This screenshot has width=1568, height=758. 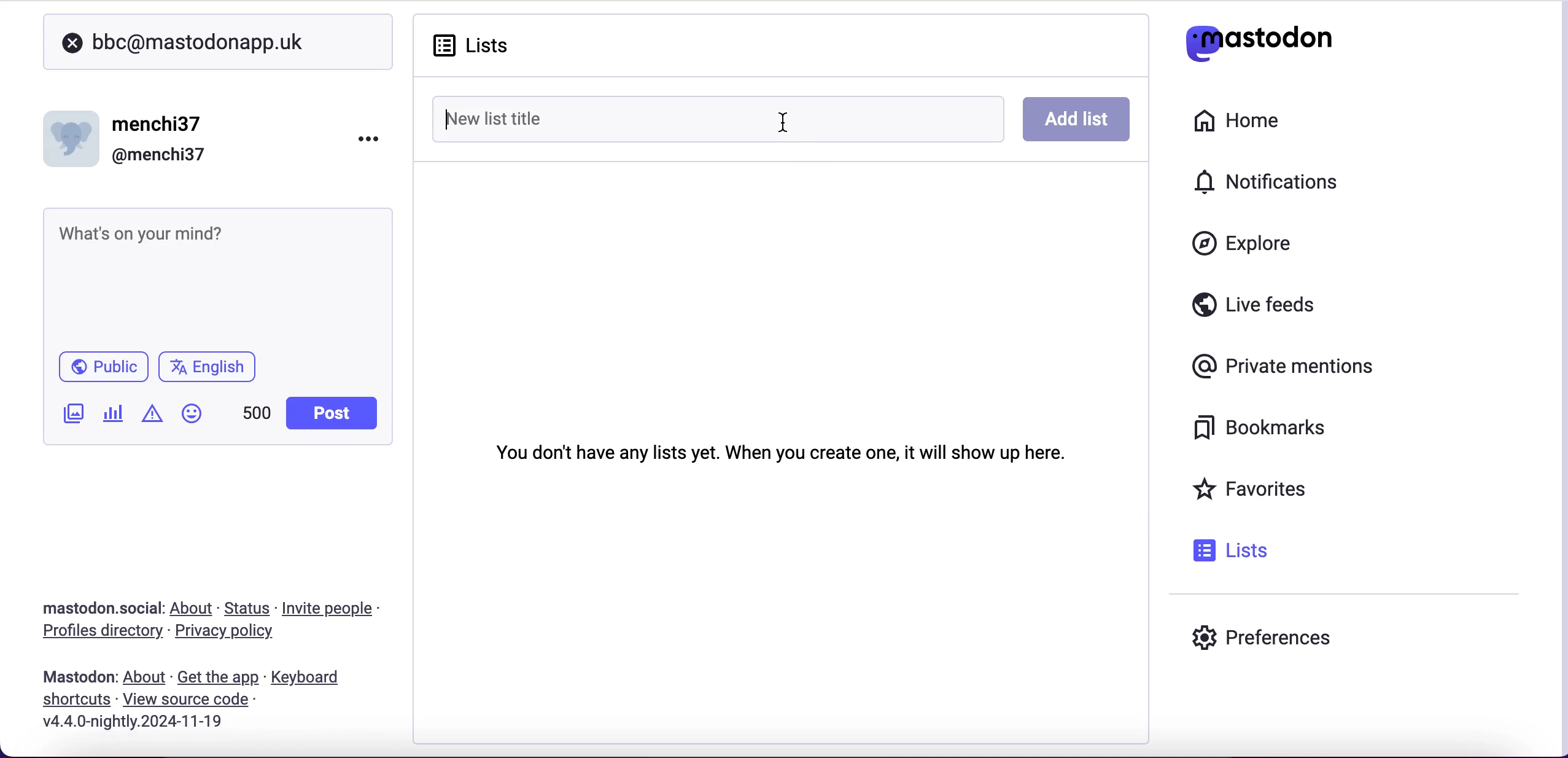 What do you see at coordinates (1259, 40) in the screenshot?
I see `mastodon logo` at bounding box center [1259, 40].